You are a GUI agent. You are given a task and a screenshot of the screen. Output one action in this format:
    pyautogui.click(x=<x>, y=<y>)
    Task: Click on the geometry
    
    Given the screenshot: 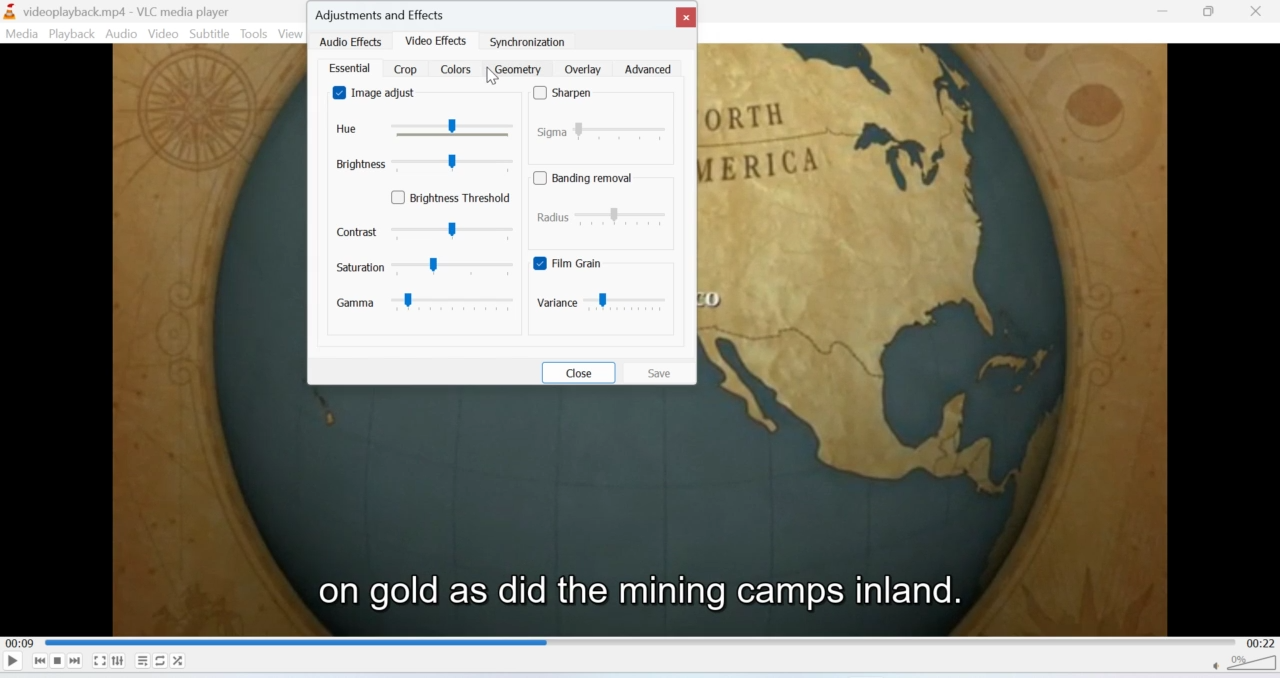 What is the action you would take?
    pyautogui.click(x=519, y=69)
    